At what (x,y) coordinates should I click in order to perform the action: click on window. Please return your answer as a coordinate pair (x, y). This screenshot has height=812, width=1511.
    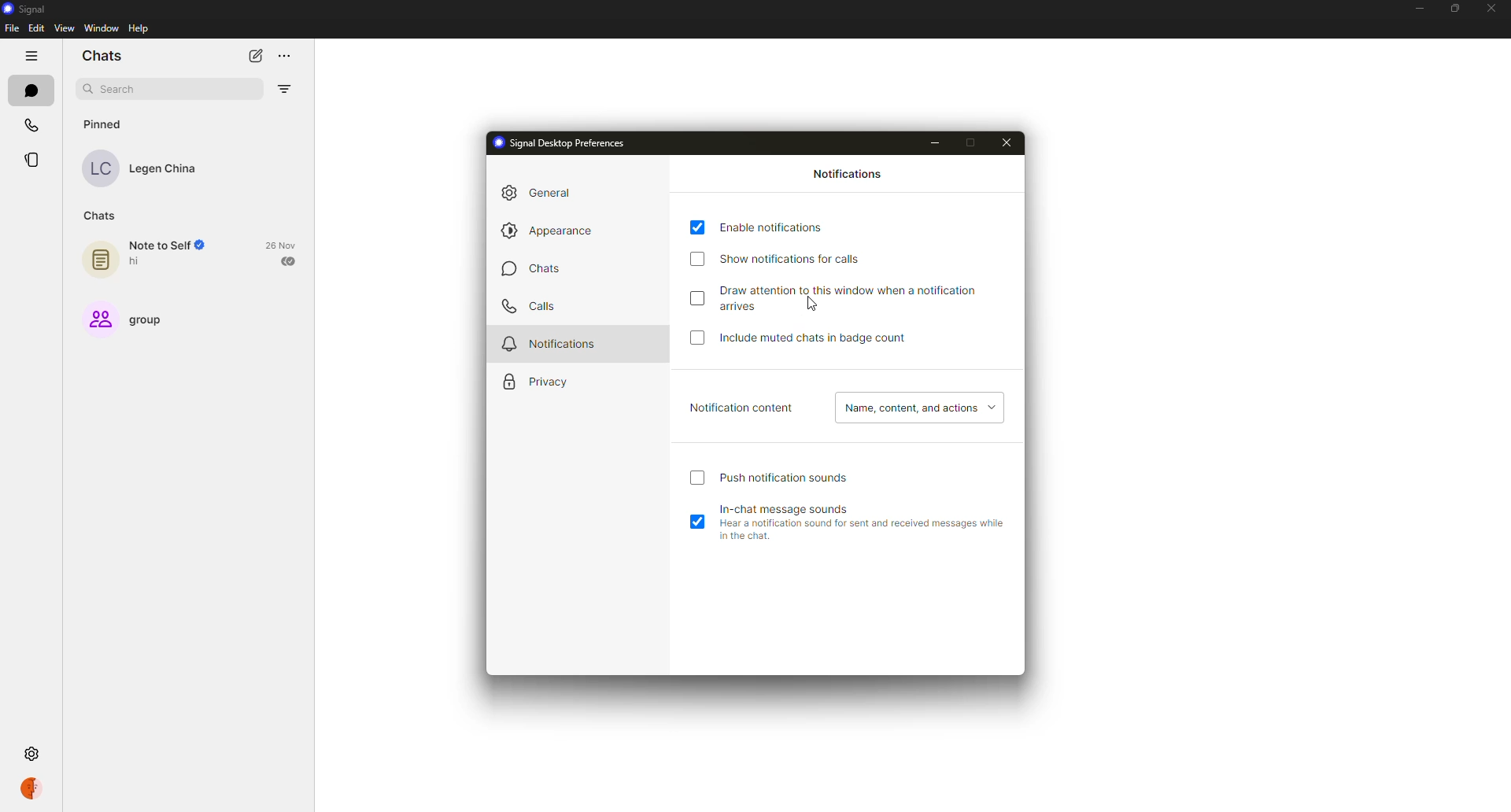
    Looking at the image, I should click on (99, 29).